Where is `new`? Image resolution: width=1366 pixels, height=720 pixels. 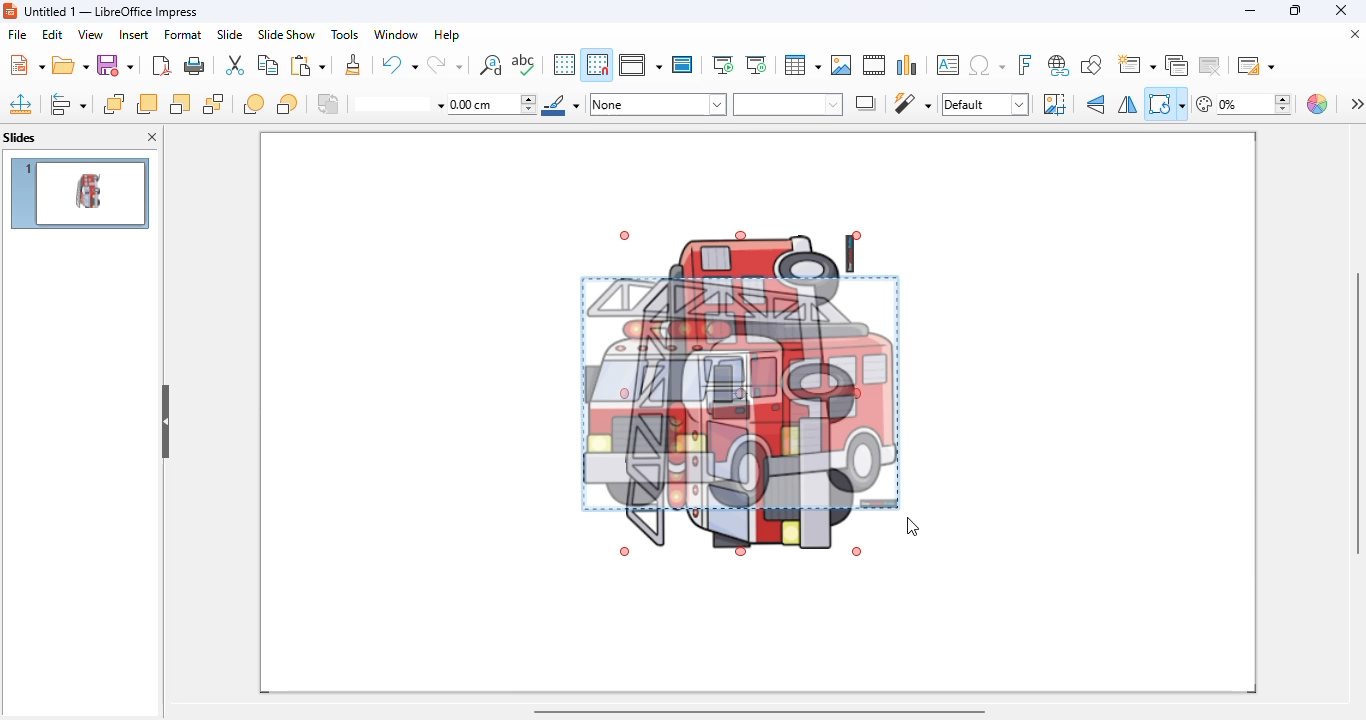
new is located at coordinates (26, 64).